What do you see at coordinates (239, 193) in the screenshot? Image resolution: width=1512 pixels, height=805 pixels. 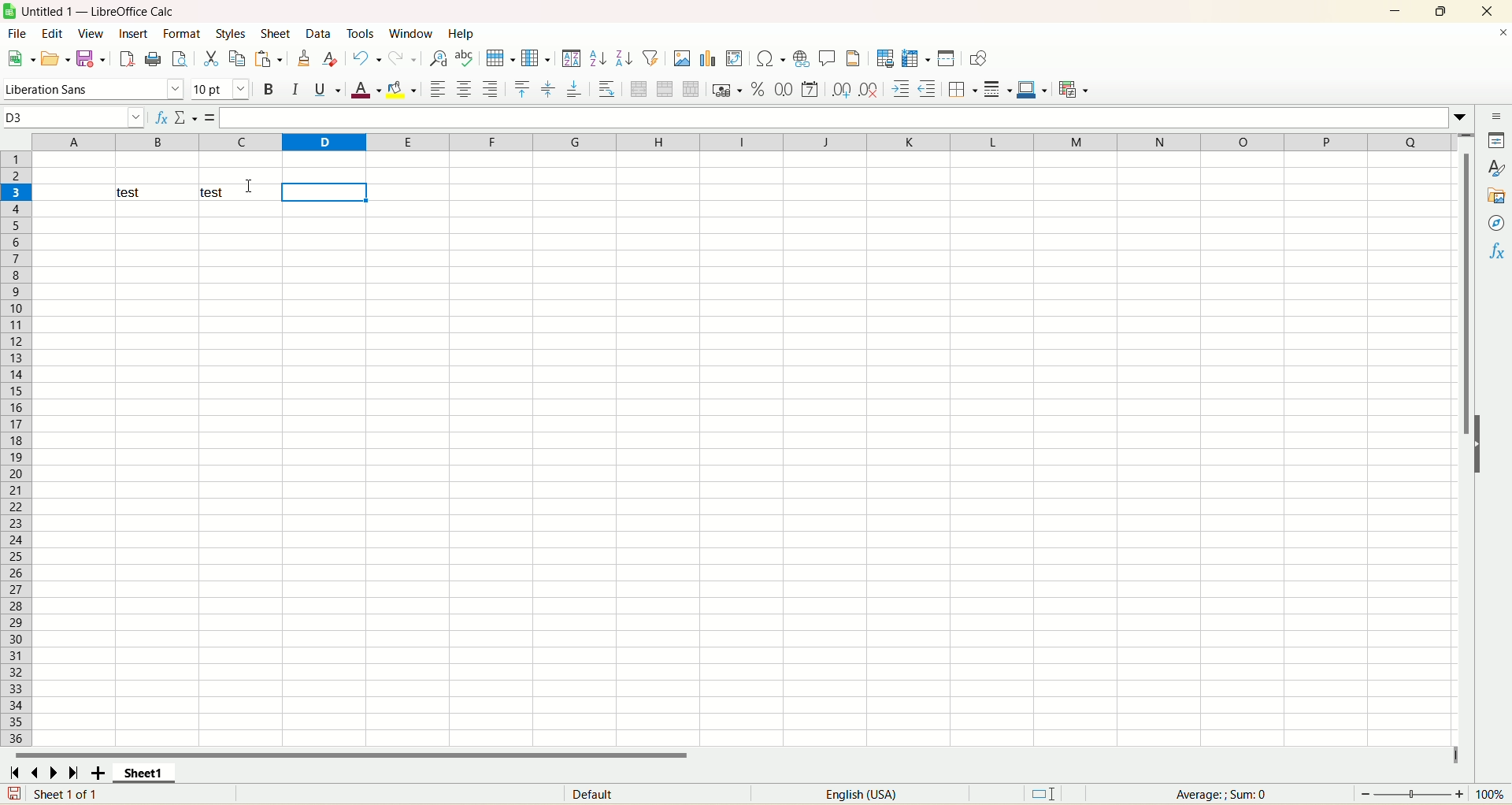 I see `test` at bounding box center [239, 193].